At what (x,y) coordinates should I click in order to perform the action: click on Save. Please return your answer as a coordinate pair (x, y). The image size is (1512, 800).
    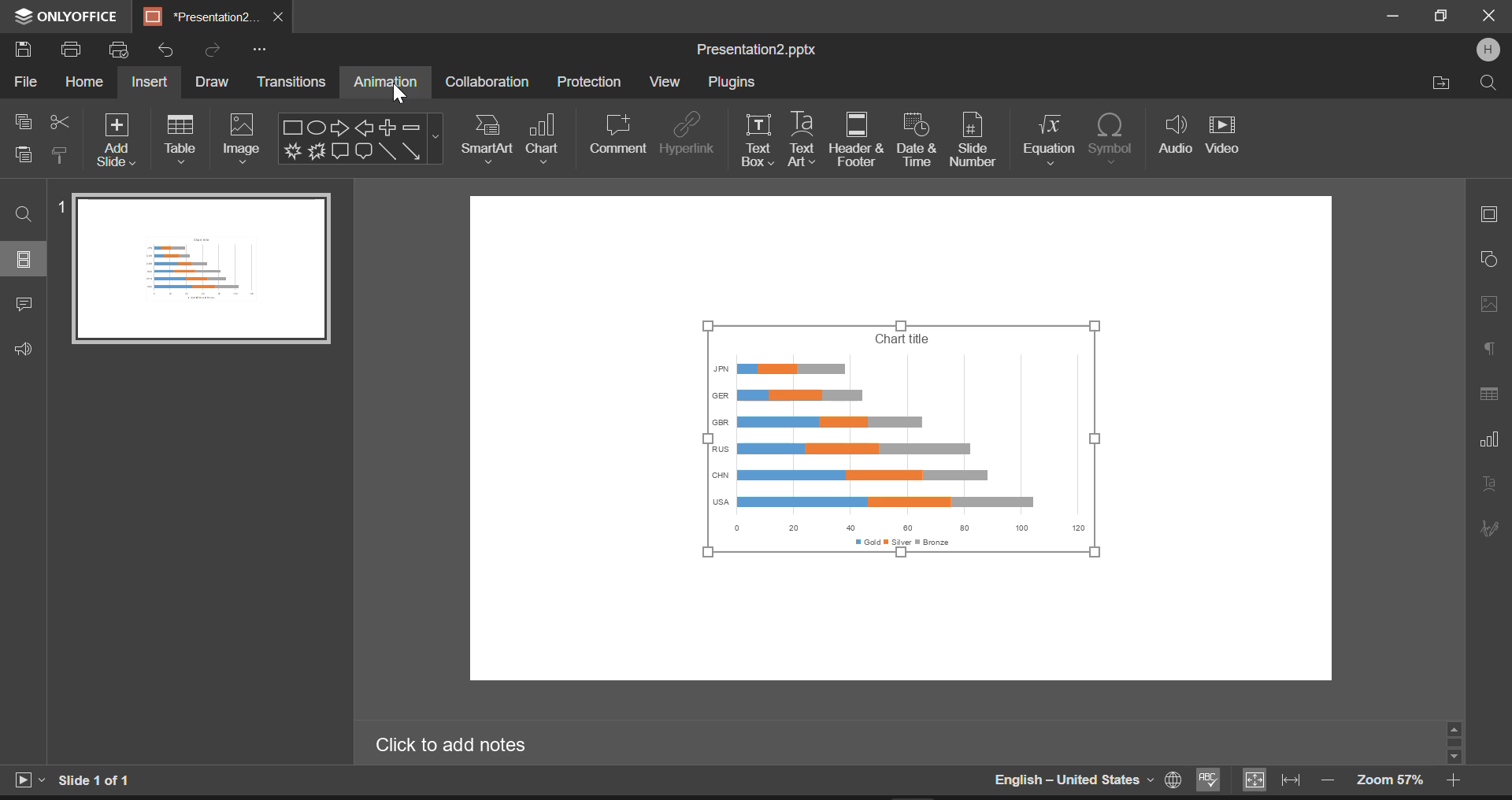
    Looking at the image, I should click on (27, 50).